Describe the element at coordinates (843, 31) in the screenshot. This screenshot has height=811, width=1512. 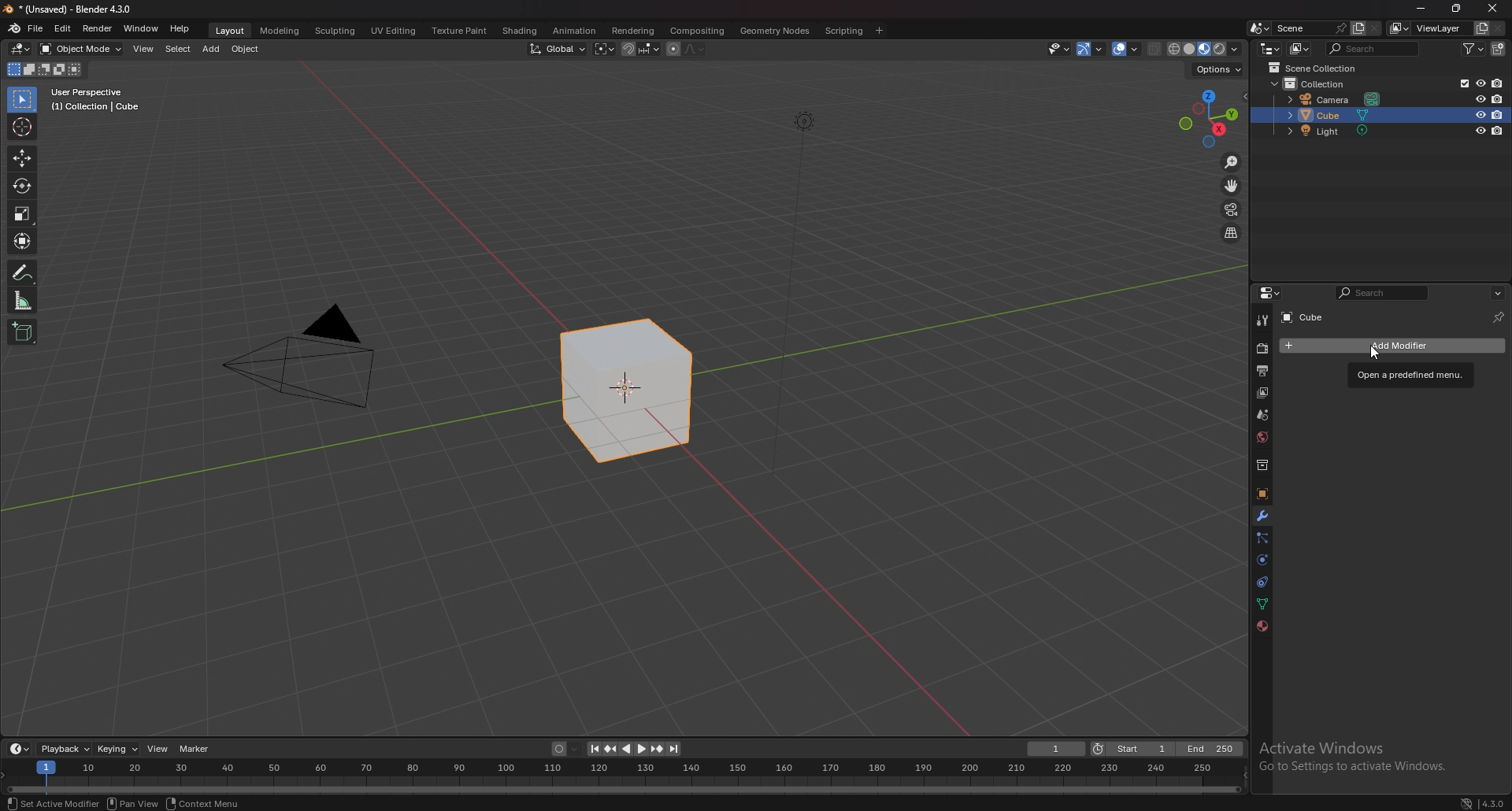
I see `scripting` at that location.